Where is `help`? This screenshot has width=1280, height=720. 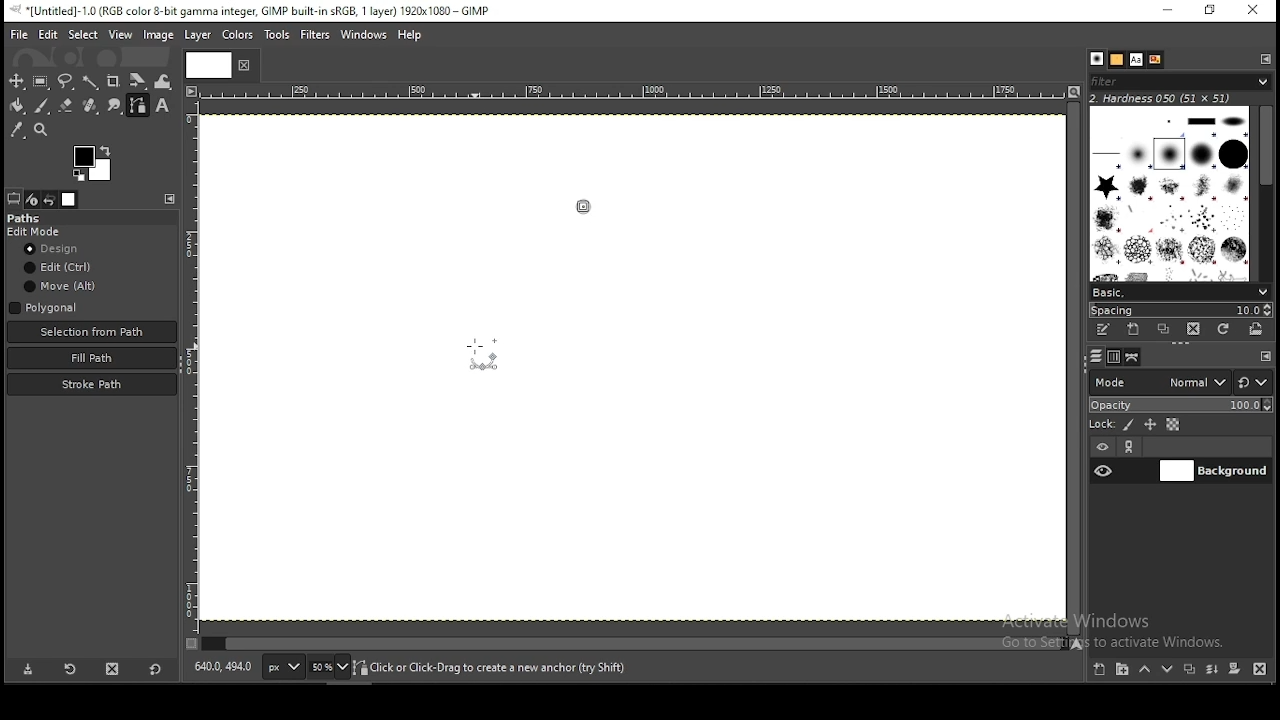 help is located at coordinates (412, 33).